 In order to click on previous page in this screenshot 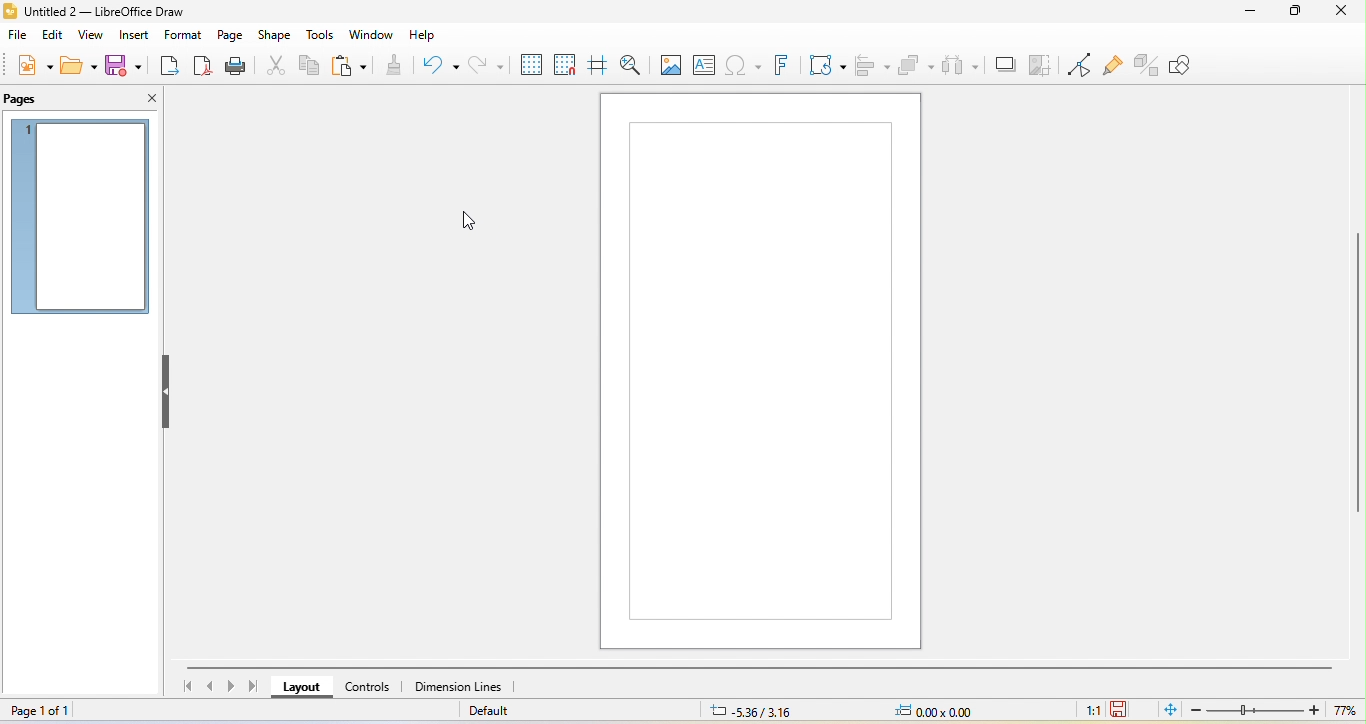, I will do `click(210, 688)`.